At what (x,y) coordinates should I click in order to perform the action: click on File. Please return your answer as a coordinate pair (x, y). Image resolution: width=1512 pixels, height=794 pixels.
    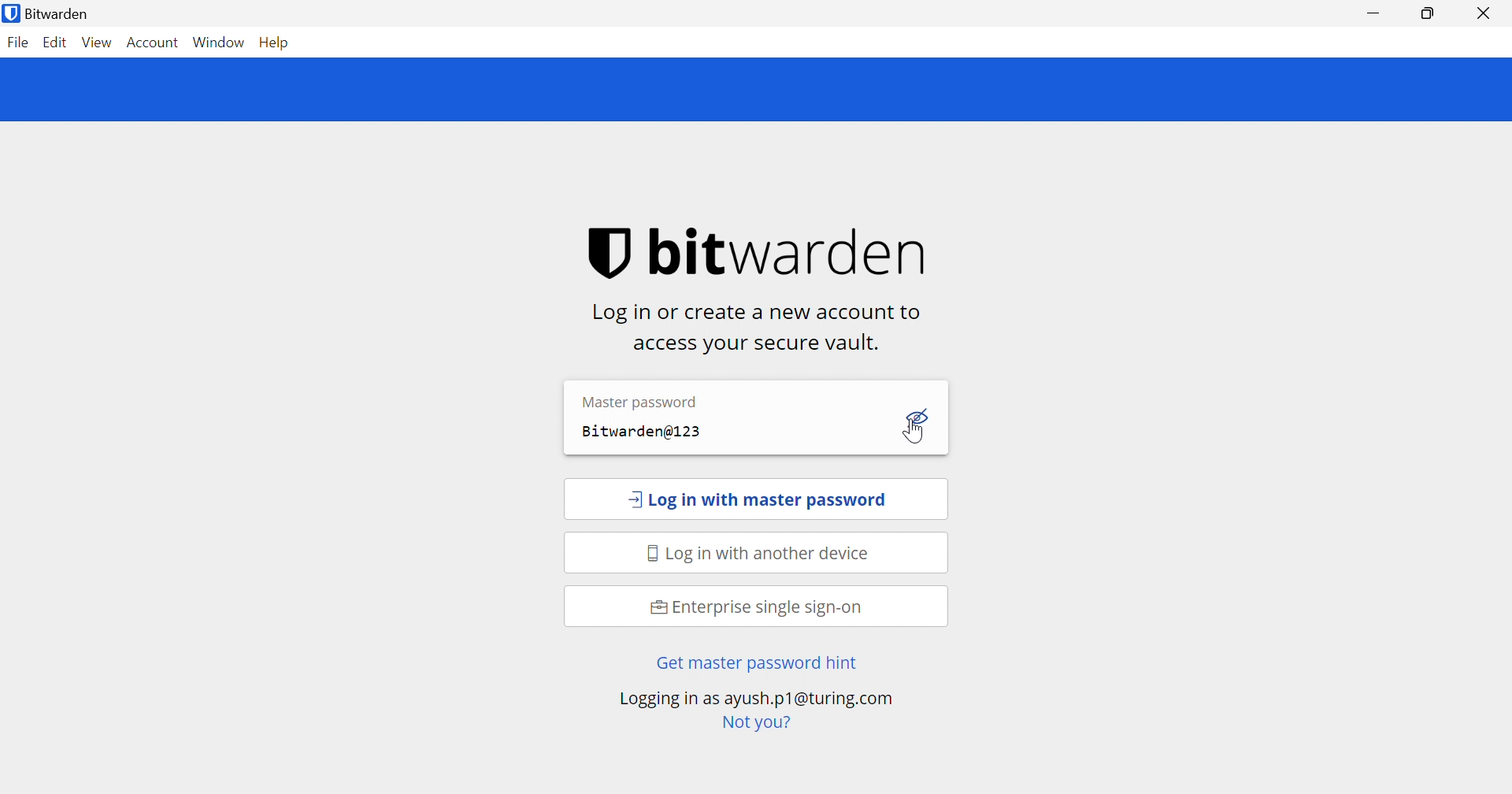
    Looking at the image, I should click on (17, 43).